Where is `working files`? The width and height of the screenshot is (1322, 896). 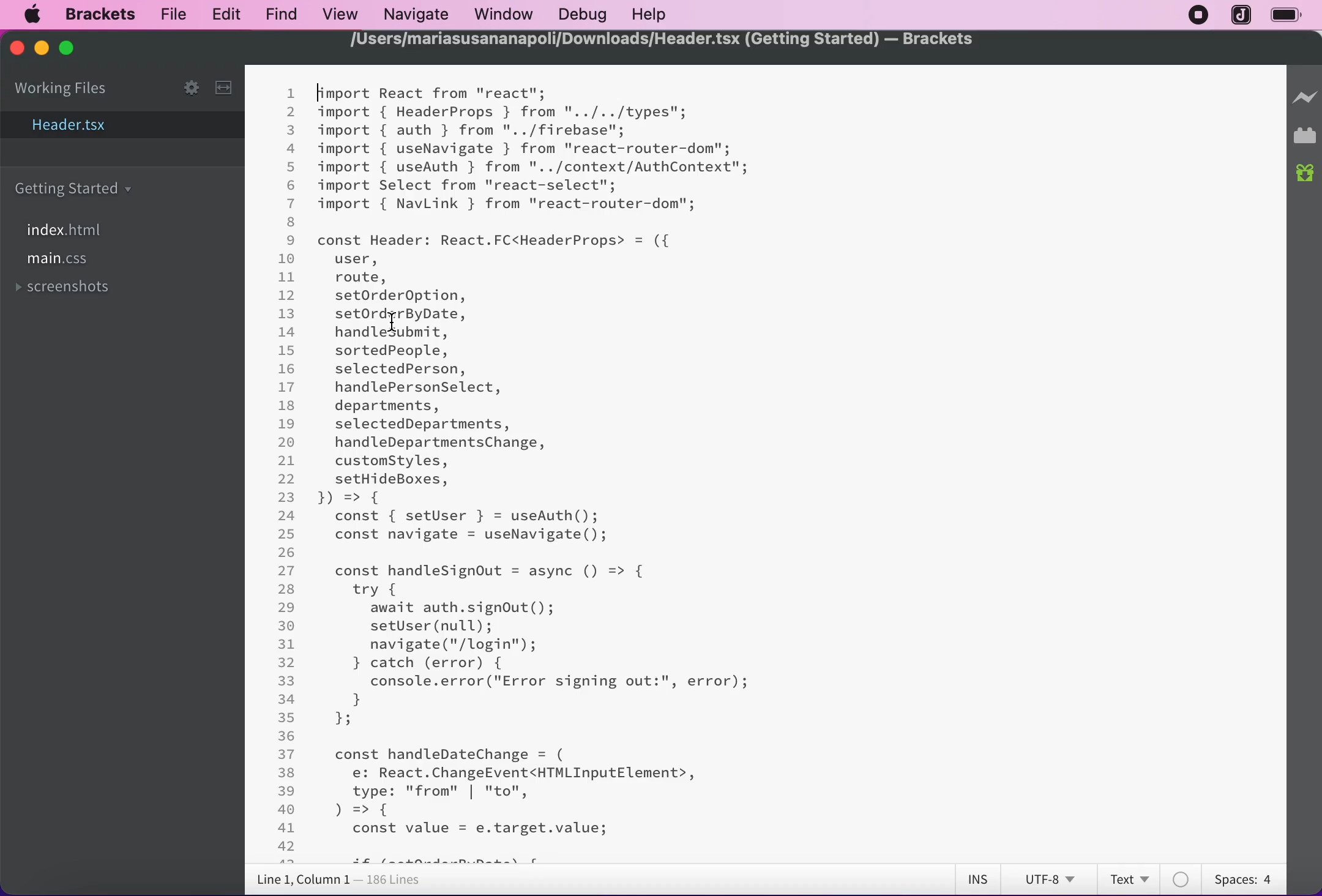
working files is located at coordinates (59, 85).